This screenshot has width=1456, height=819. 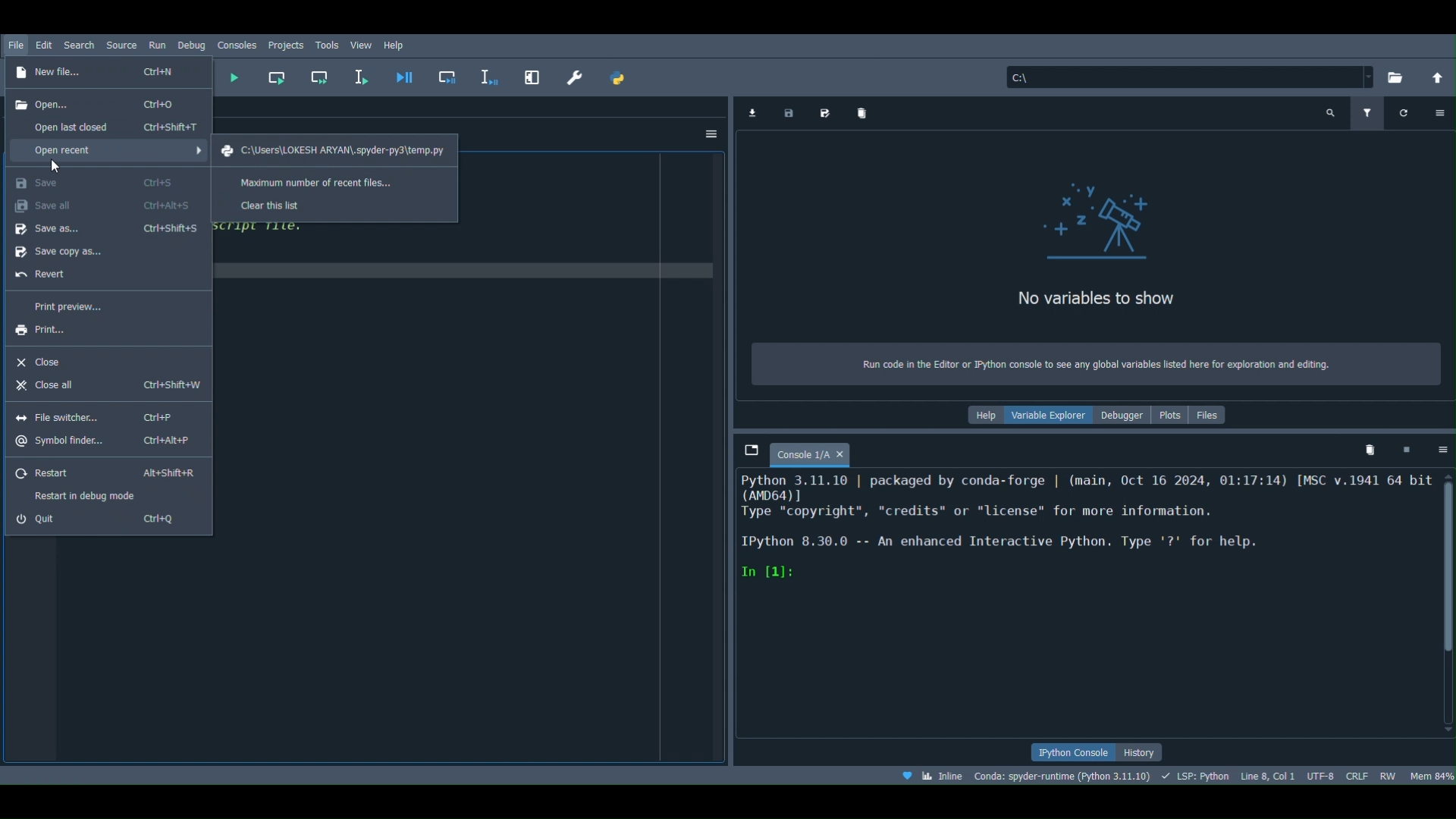 I want to click on Interrupt kernel, so click(x=1403, y=448).